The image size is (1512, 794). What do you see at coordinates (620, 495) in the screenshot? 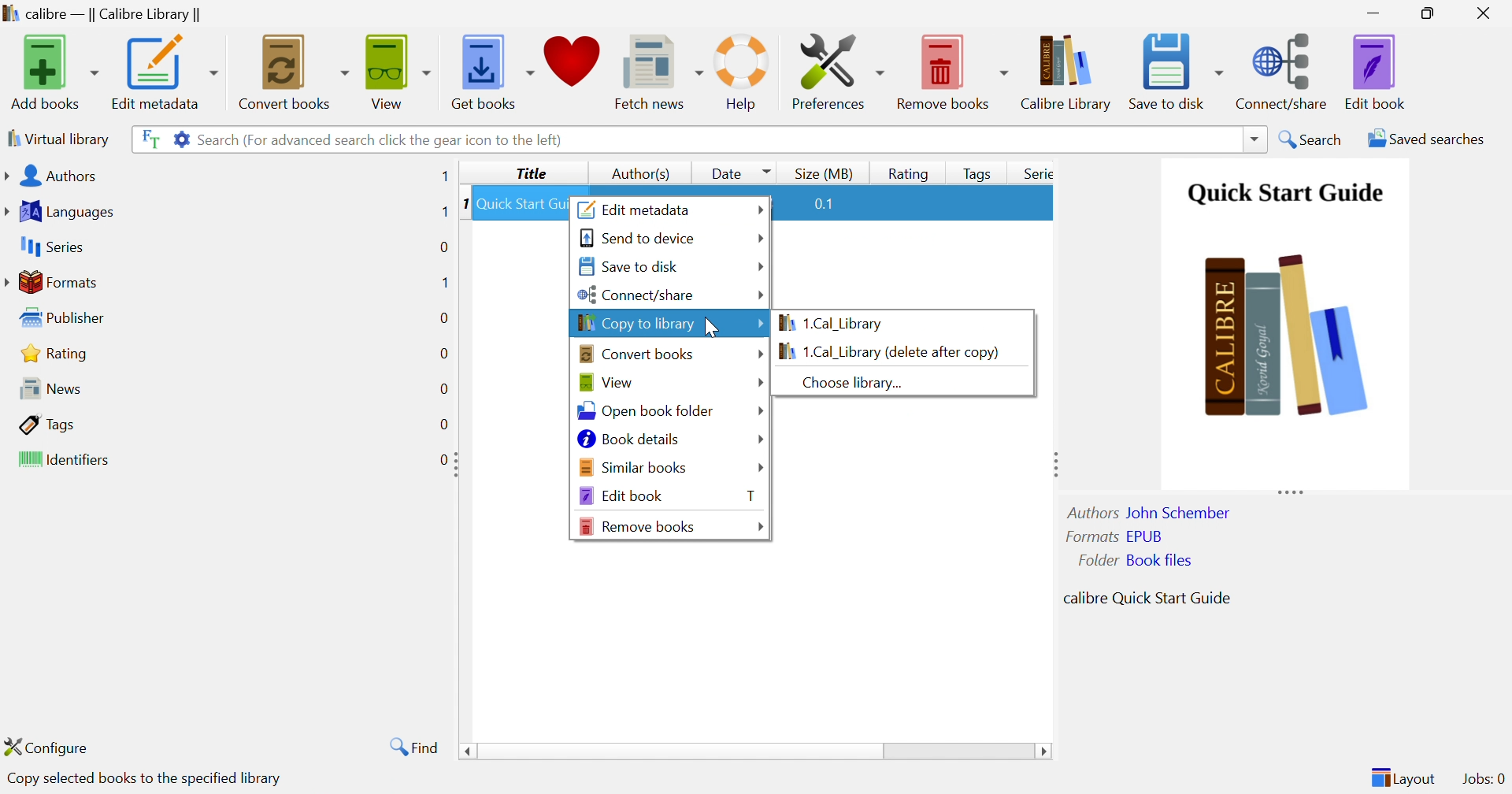
I see `Edit book` at bounding box center [620, 495].